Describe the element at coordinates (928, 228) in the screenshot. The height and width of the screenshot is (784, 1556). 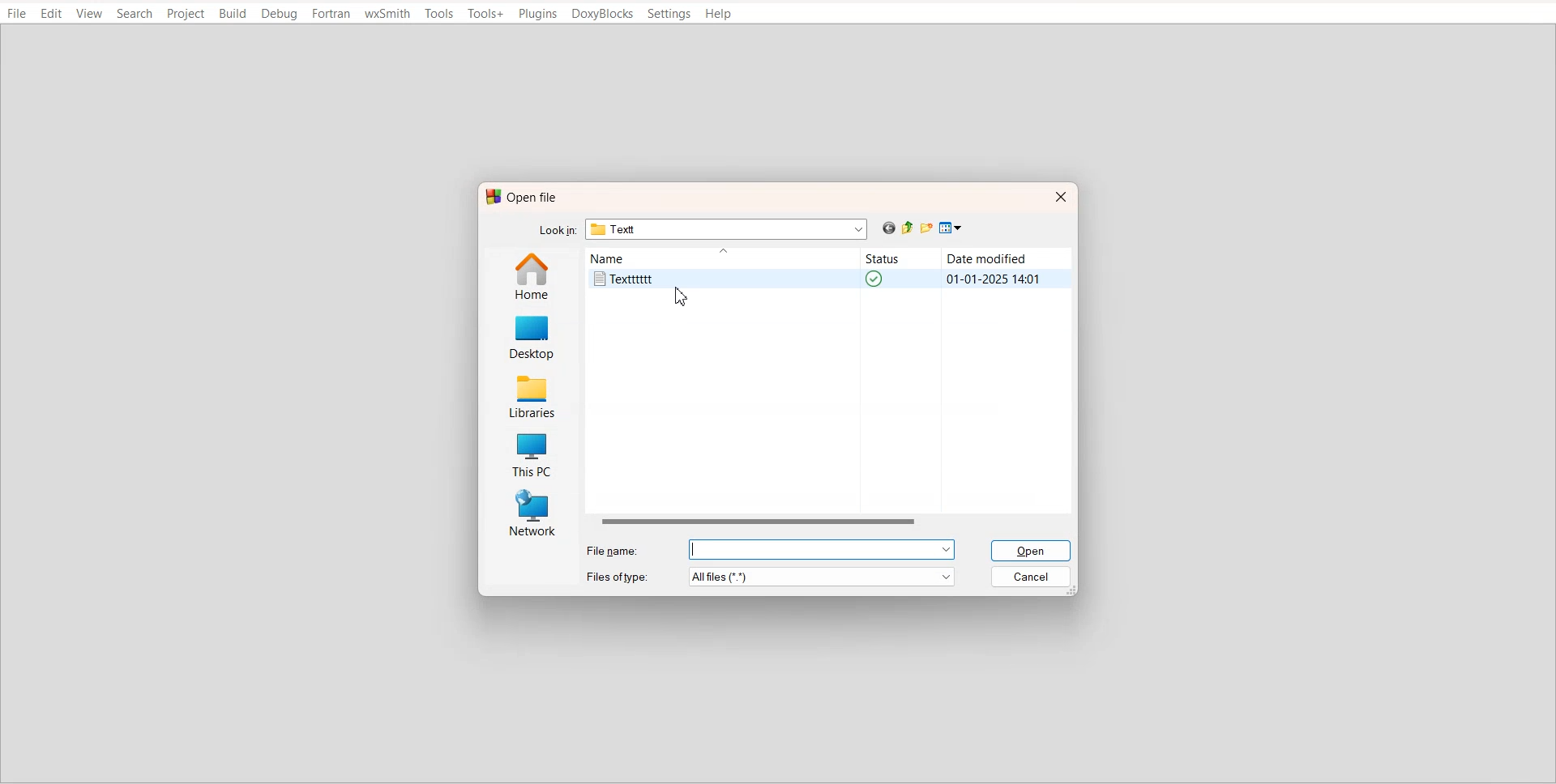
I see `Create new folder` at that location.